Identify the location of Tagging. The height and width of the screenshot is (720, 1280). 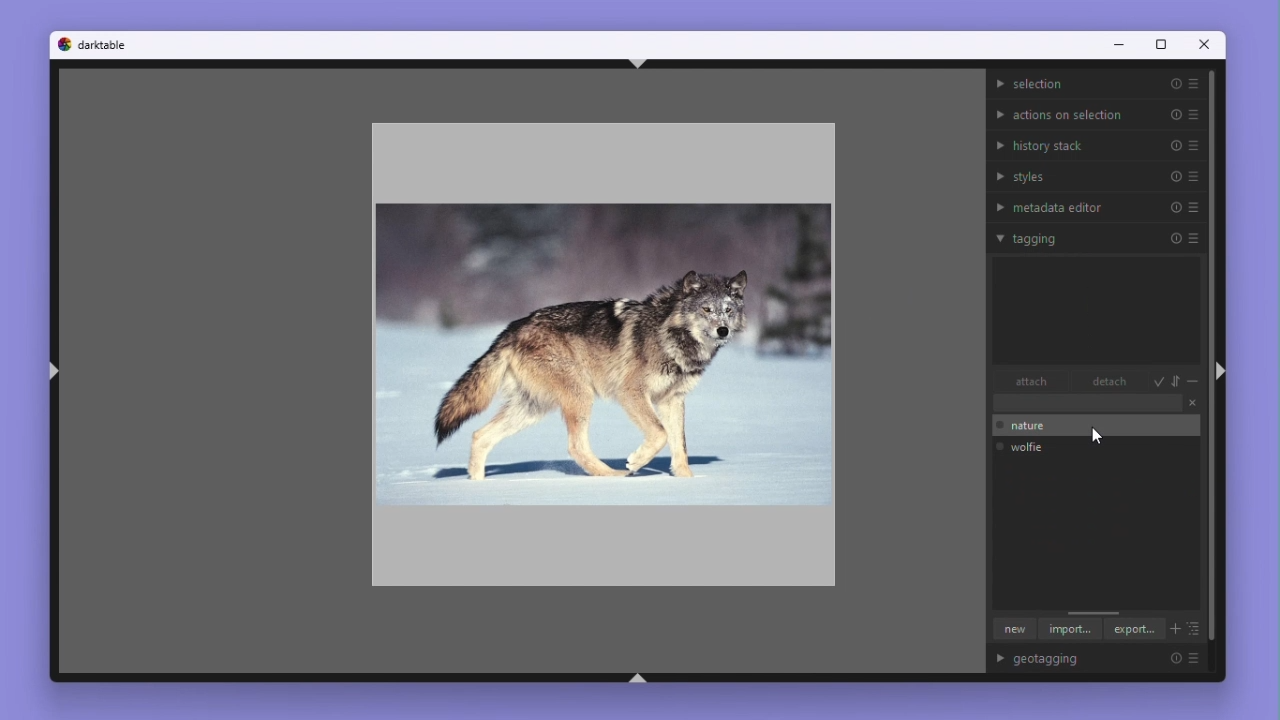
(1096, 237).